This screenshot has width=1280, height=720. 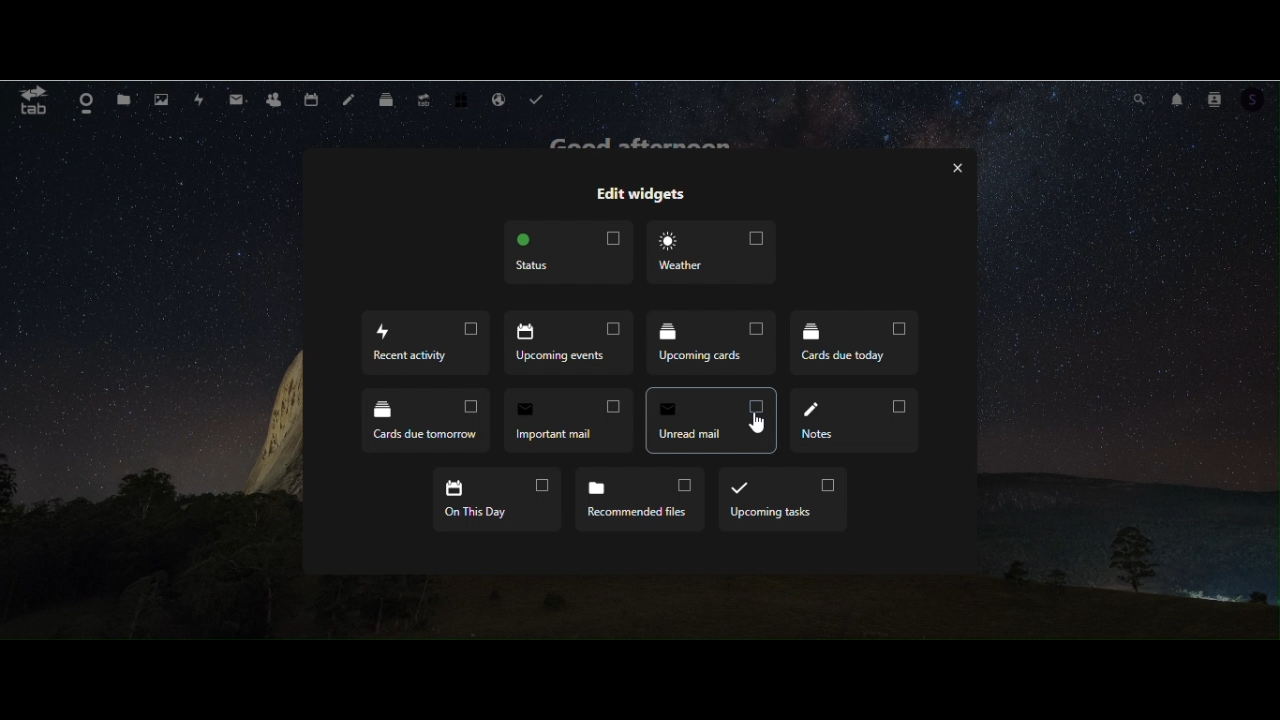 What do you see at coordinates (348, 98) in the screenshot?
I see `notes` at bounding box center [348, 98].